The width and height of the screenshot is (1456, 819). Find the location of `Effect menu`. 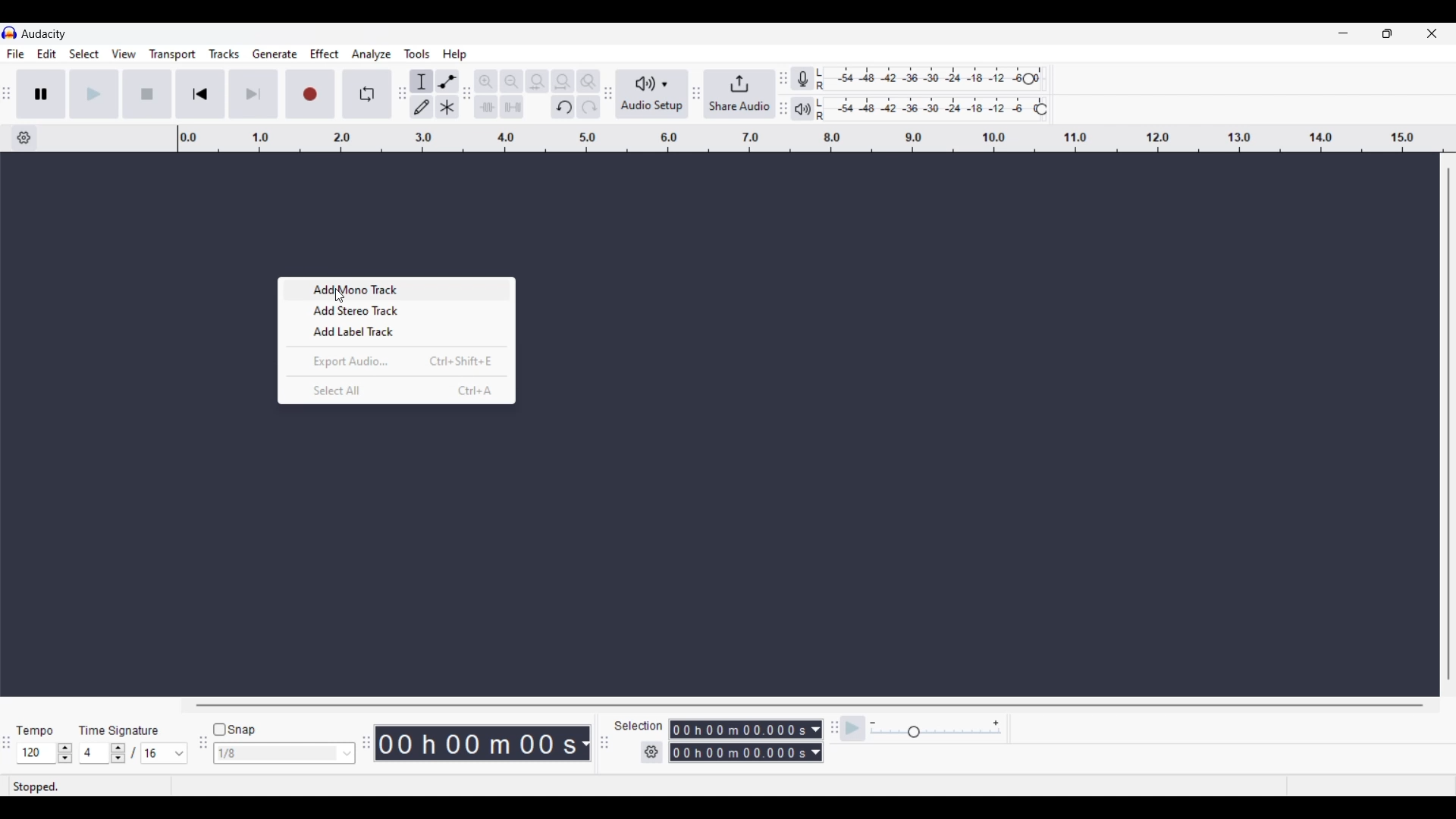

Effect menu is located at coordinates (325, 54).